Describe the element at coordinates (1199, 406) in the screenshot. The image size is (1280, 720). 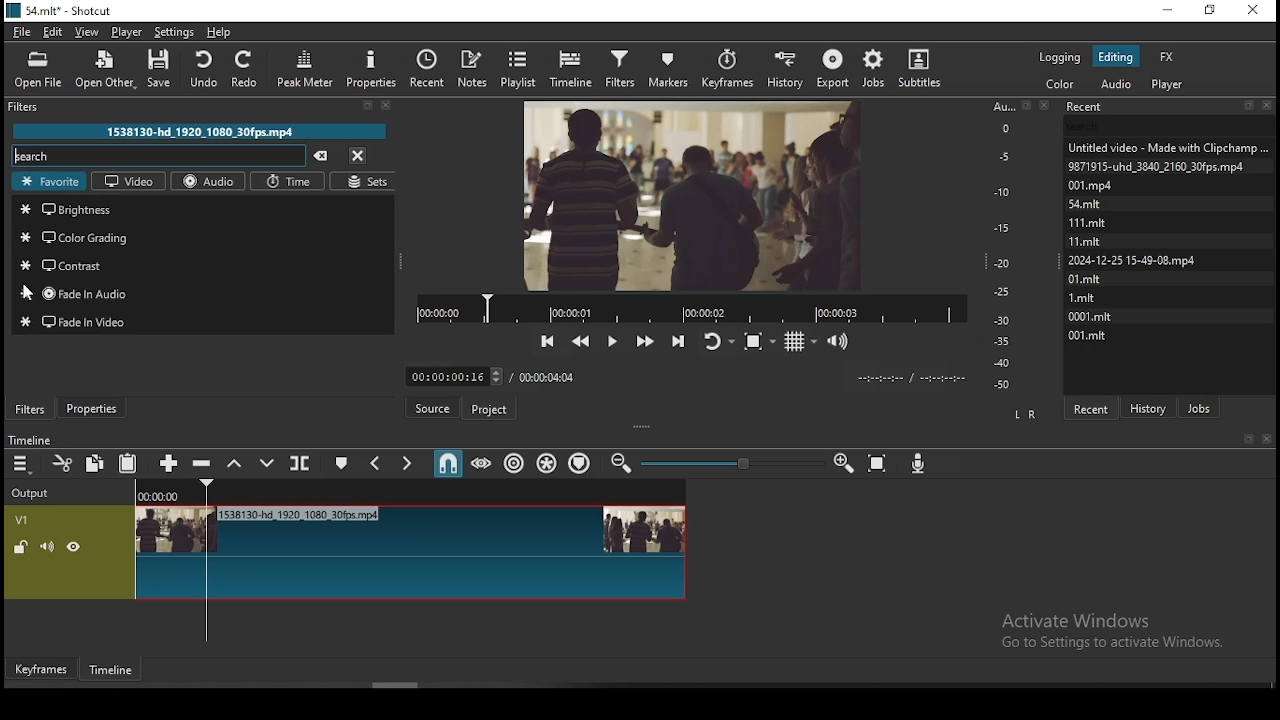
I see `jobs` at that location.